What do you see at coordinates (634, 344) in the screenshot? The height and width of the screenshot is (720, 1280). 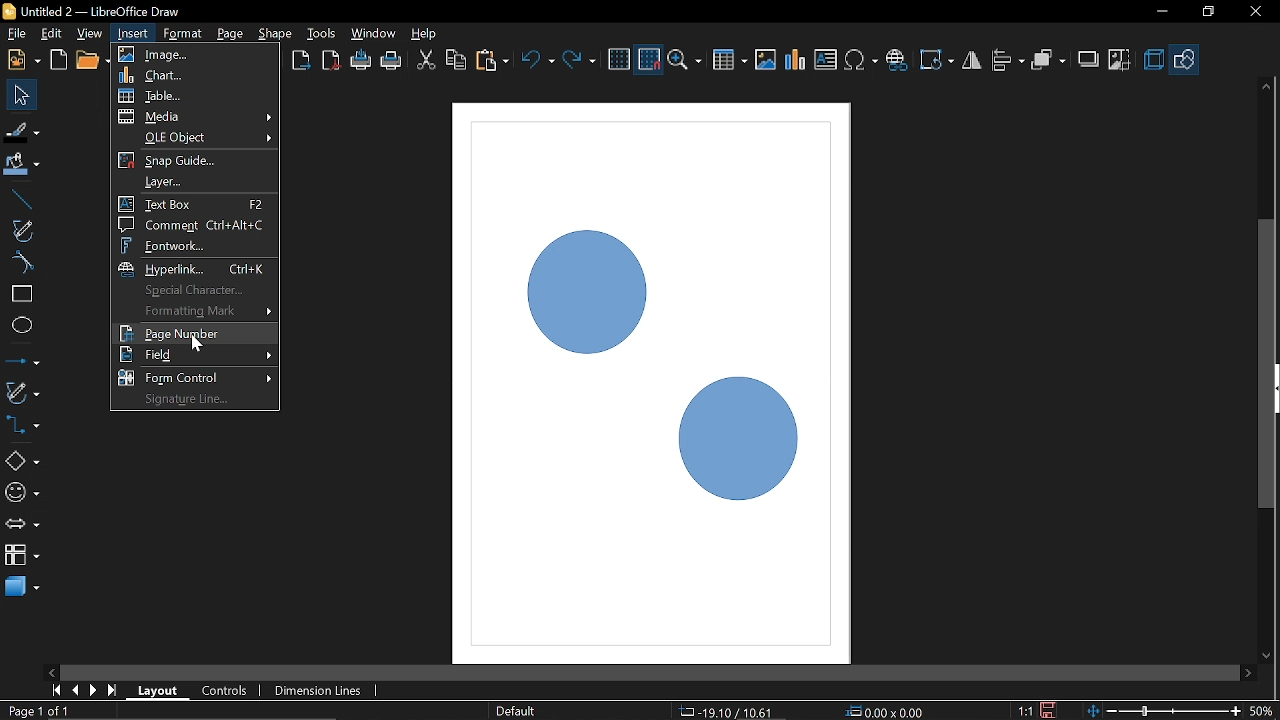 I see `Diagram` at bounding box center [634, 344].